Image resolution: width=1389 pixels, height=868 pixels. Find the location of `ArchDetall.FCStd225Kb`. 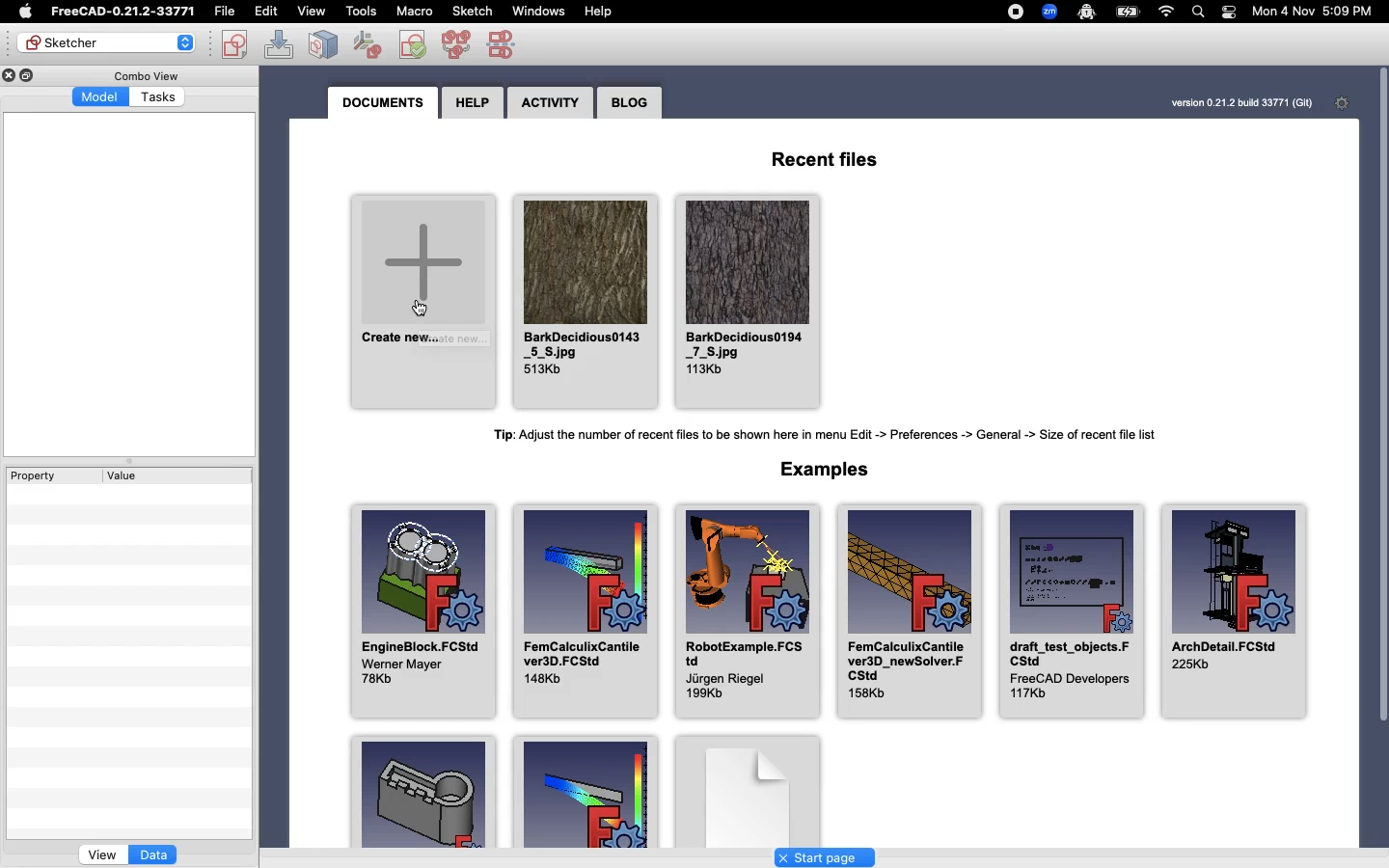

ArchDetall.FCStd225Kb is located at coordinates (1236, 610).